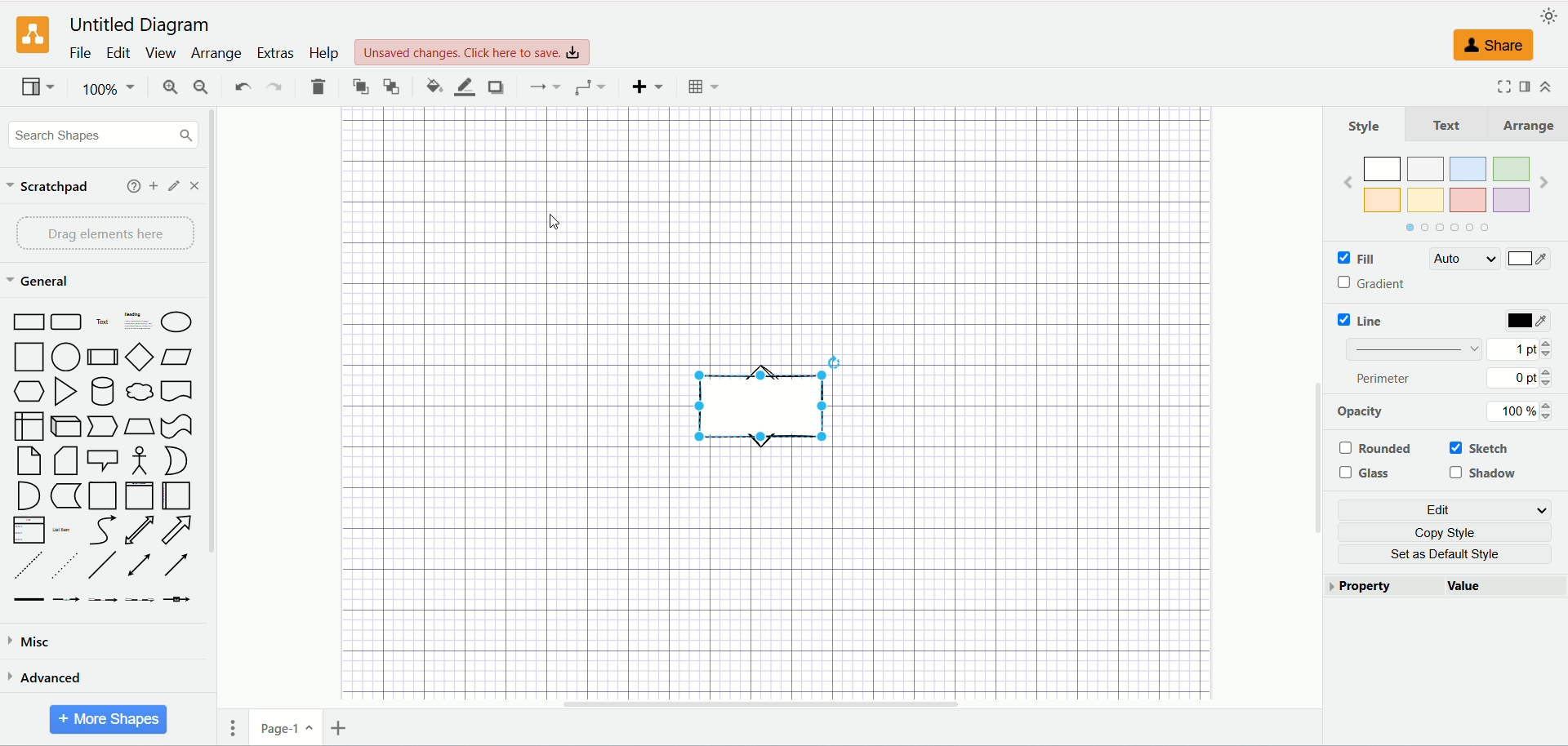 The height and width of the screenshot is (746, 1568). I want to click on Diamond, so click(140, 357).